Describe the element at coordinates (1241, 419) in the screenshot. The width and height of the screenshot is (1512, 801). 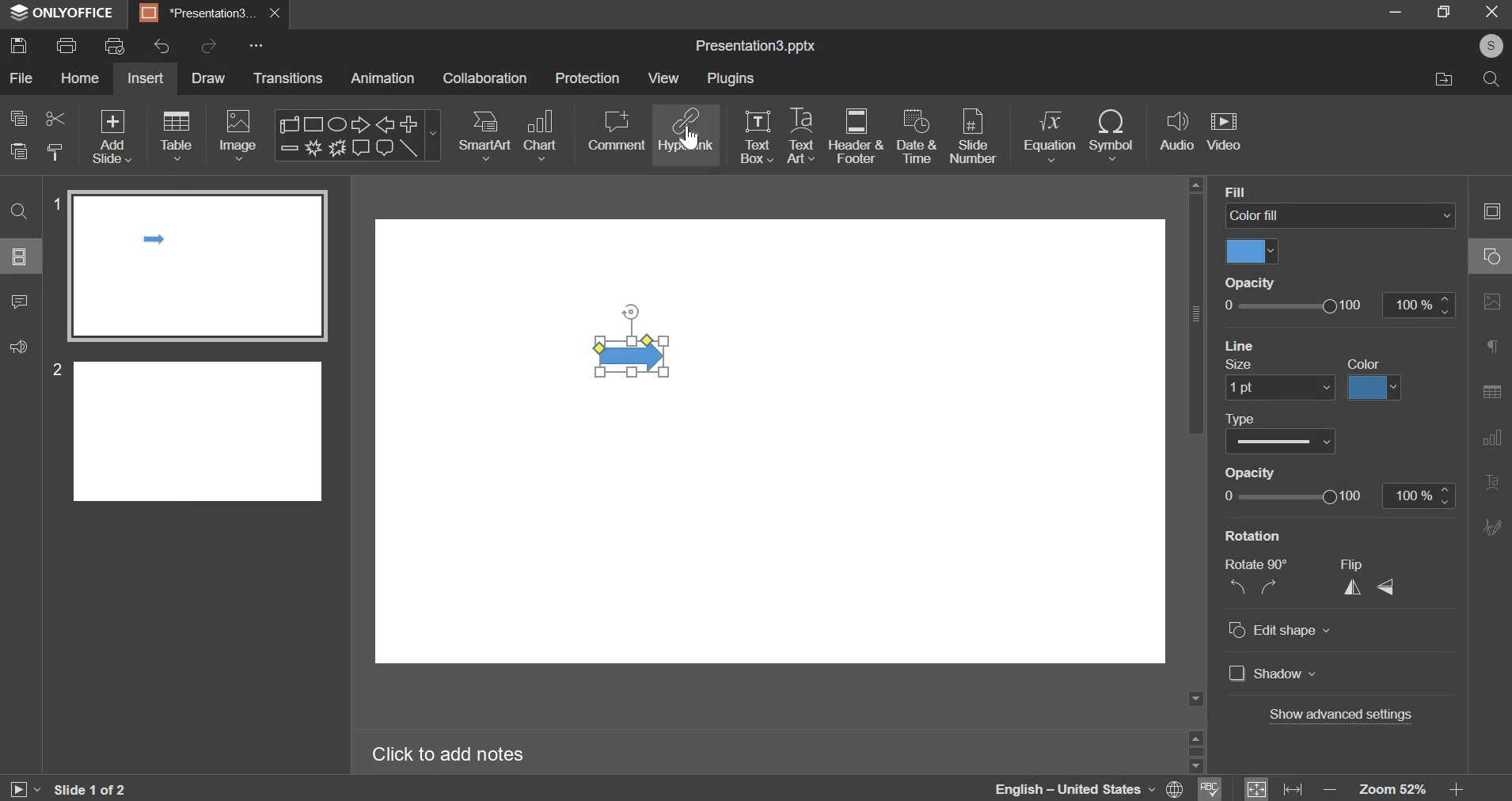
I see `type` at that location.